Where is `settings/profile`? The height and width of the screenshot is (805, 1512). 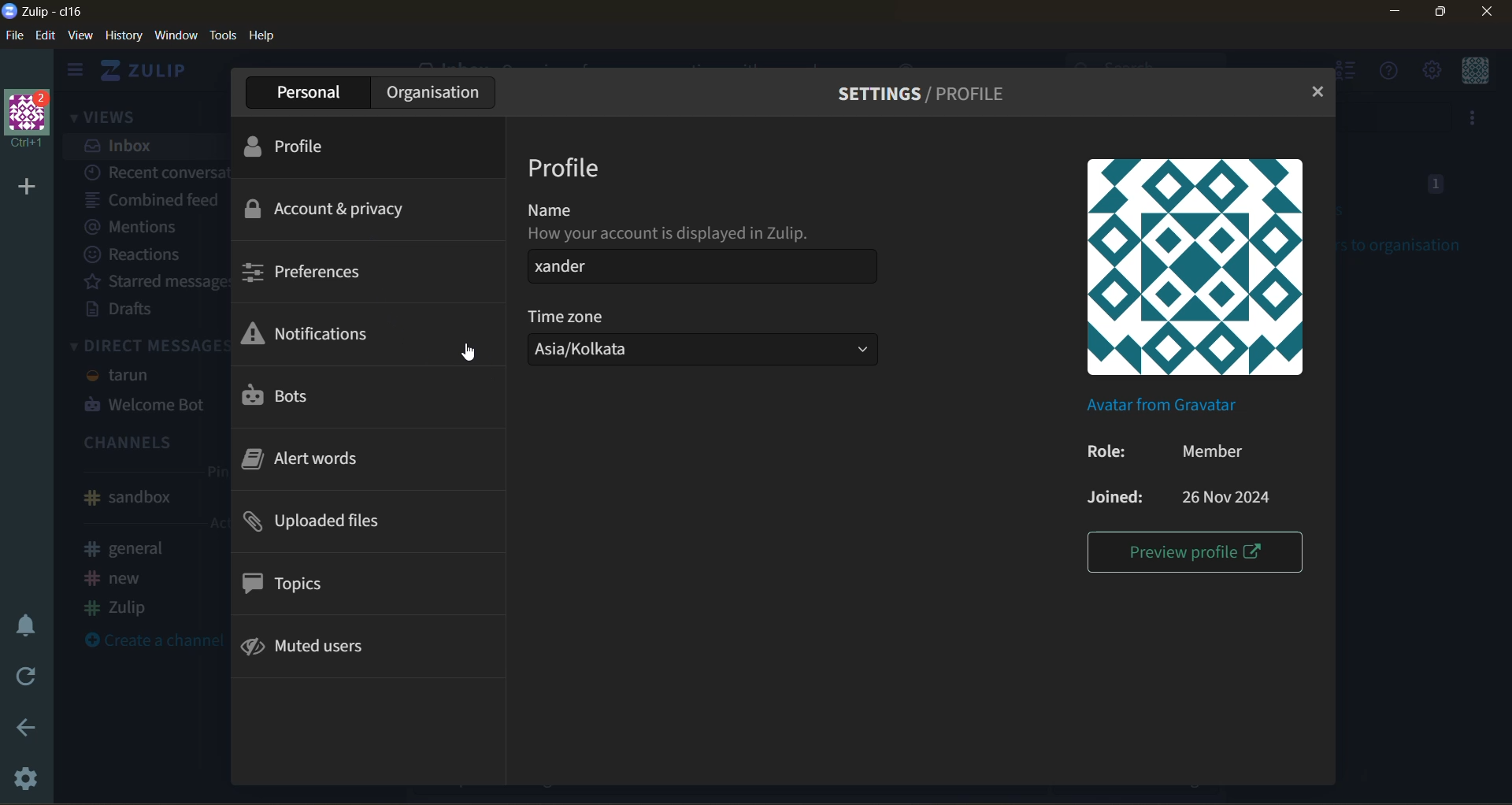 settings/profile is located at coordinates (920, 95).